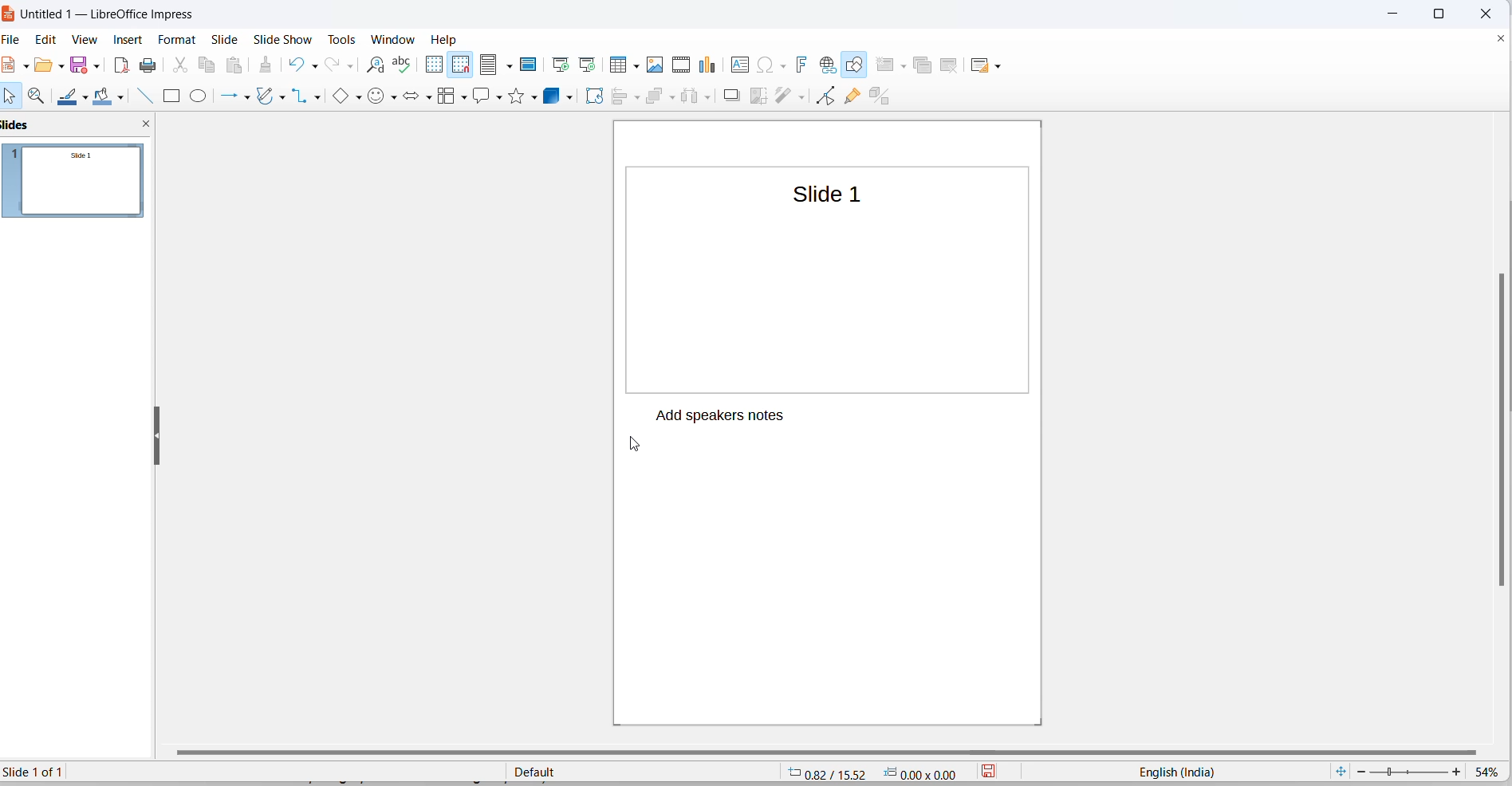 The width and height of the screenshot is (1512, 786). I want to click on fit current slide to windows, so click(1342, 771).